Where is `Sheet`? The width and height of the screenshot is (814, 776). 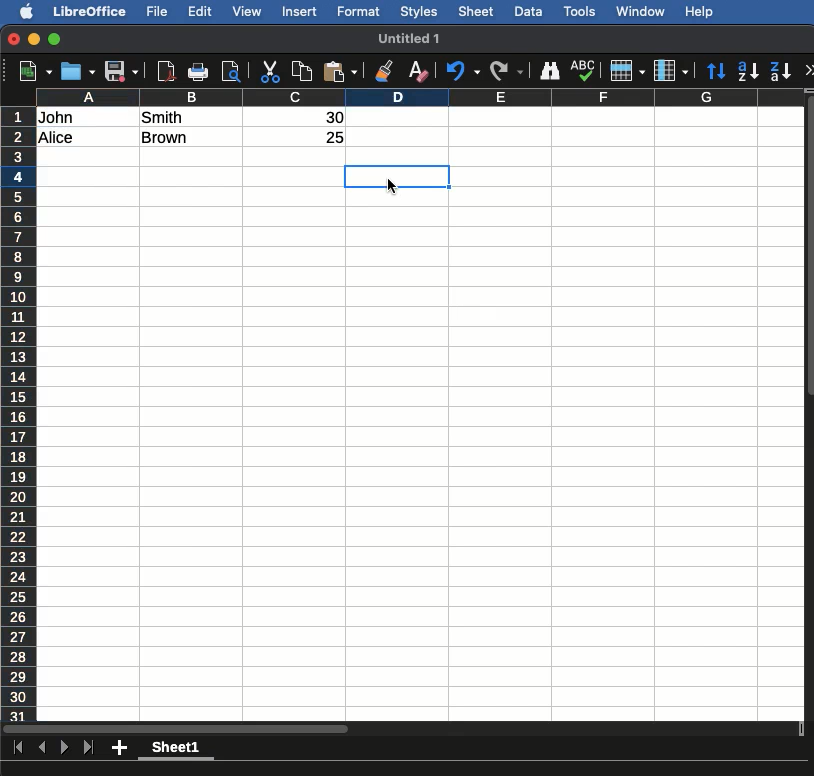 Sheet is located at coordinates (477, 11).